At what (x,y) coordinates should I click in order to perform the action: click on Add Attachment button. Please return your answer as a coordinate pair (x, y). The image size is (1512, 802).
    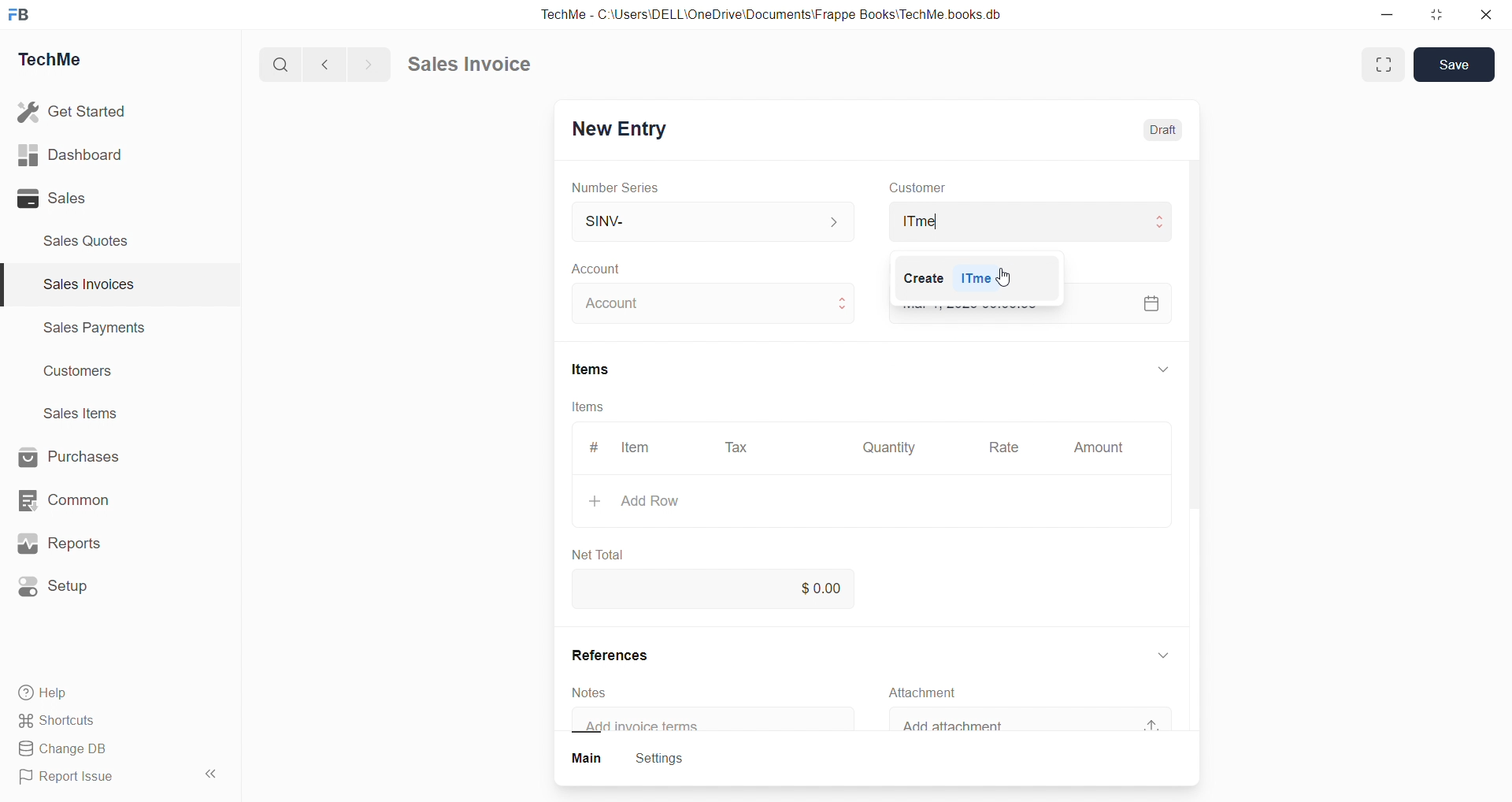
    Looking at the image, I should click on (1161, 718).